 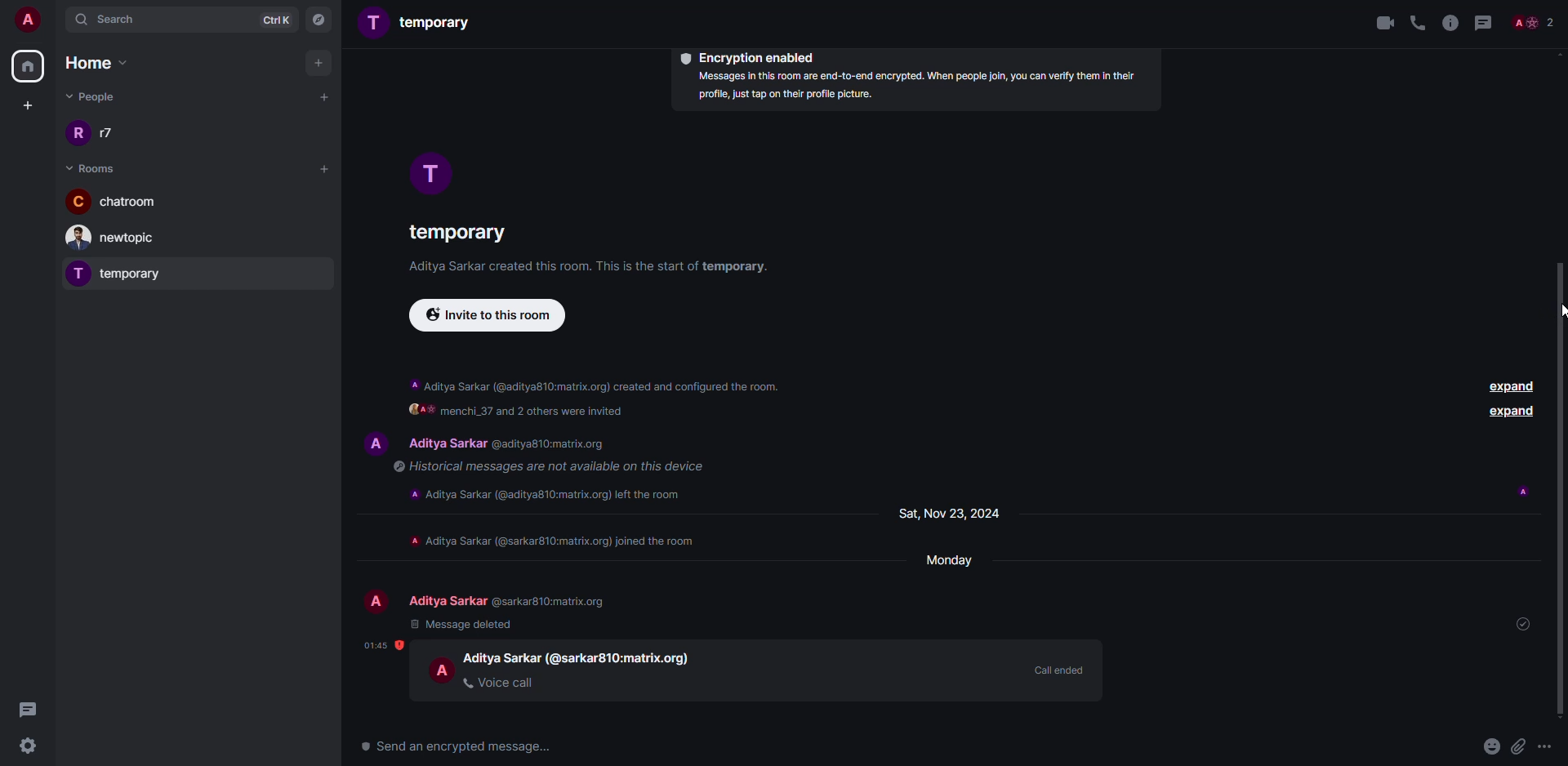 What do you see at coordinates (375, 443) in the screenshot?
I see `profile` at bounding box center [375, 443].